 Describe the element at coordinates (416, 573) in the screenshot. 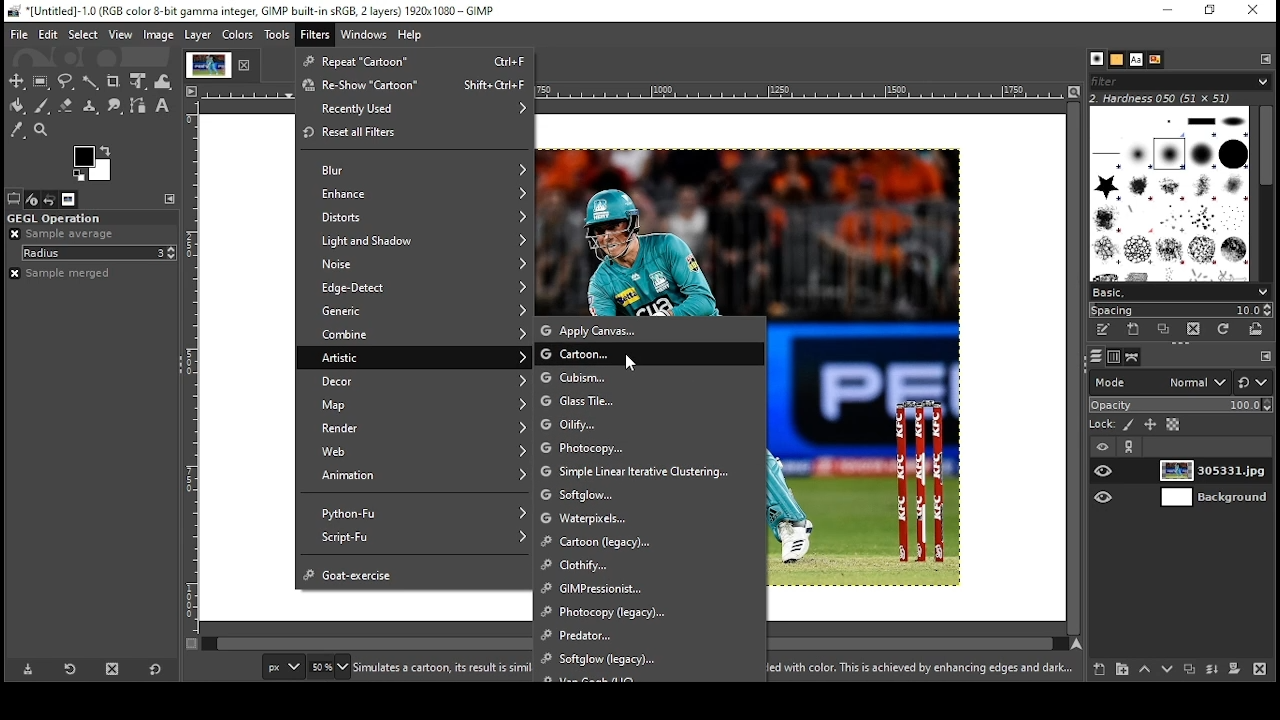

I see `goat exercise` at that location.